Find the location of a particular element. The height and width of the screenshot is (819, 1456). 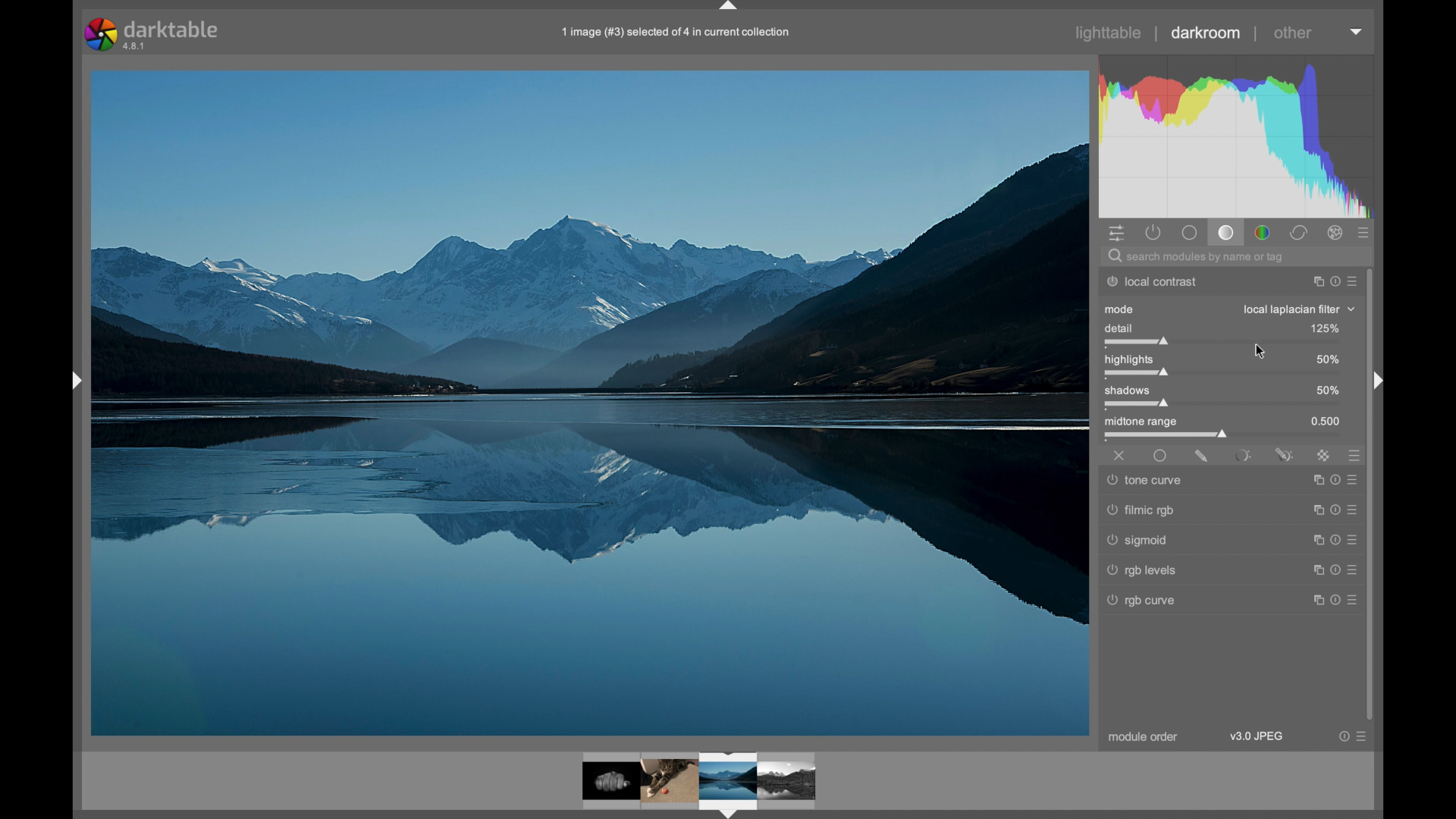

mode is located at coordinates (1119, 311).